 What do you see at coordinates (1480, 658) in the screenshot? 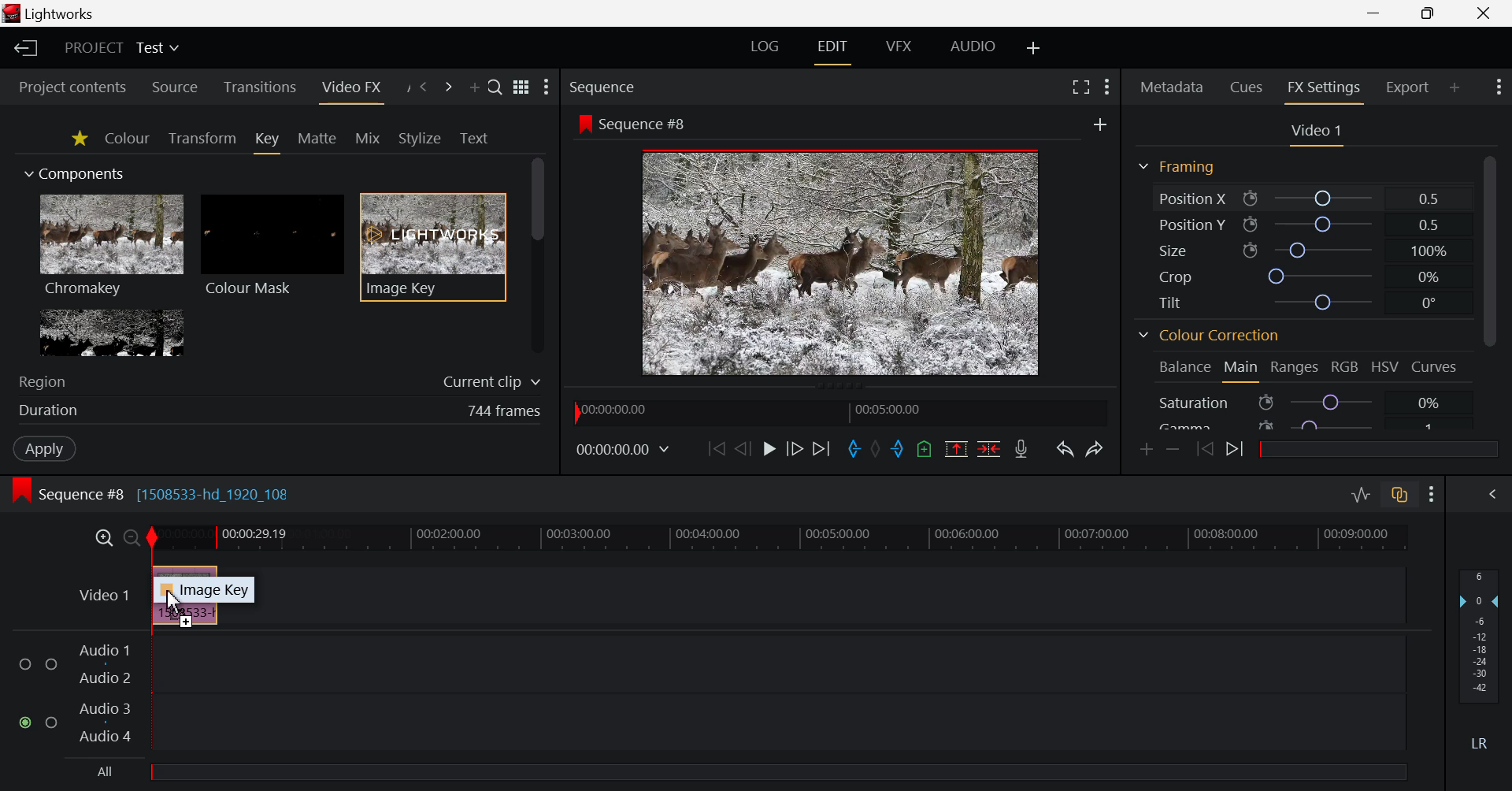
I see `Decibel Level` at bounding box center [1480, 658].